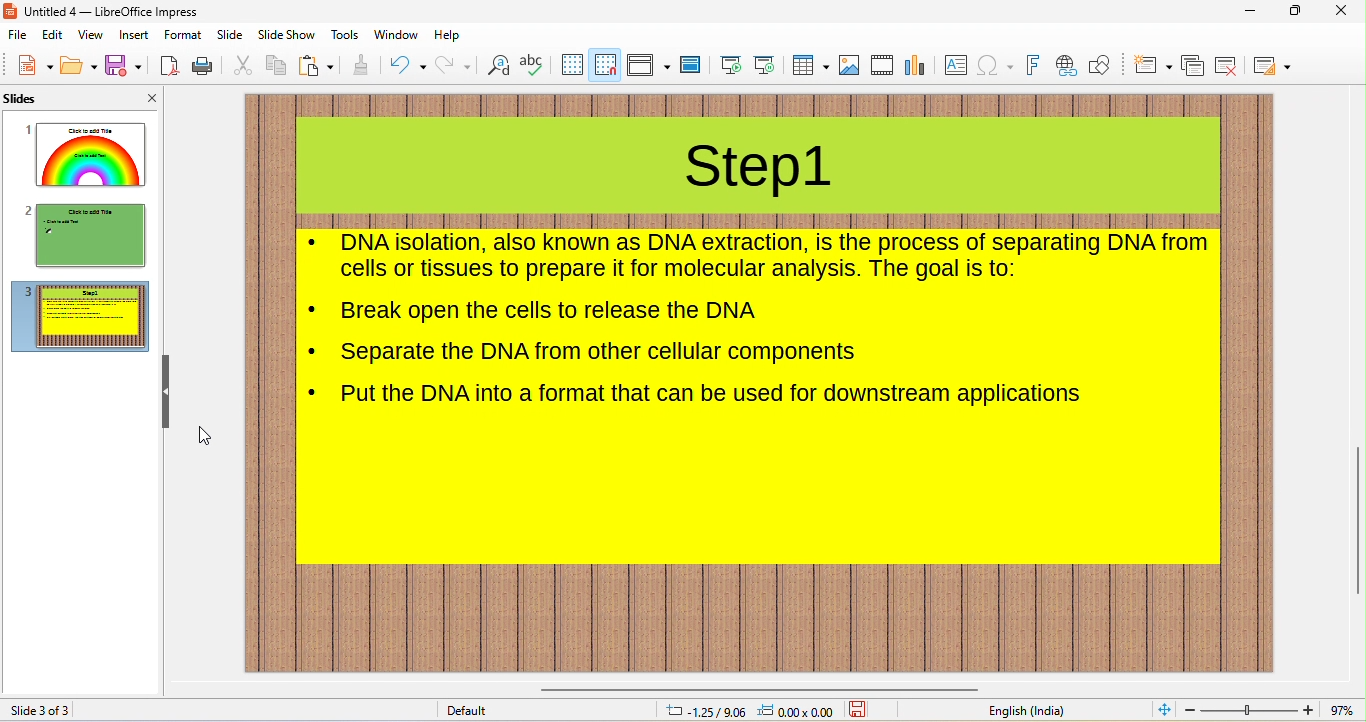 The width and height of the screenshot is (1366, 722). Describe the element at coordinates (314, 242) in the screenshot. I see `Dotted list` at that location.